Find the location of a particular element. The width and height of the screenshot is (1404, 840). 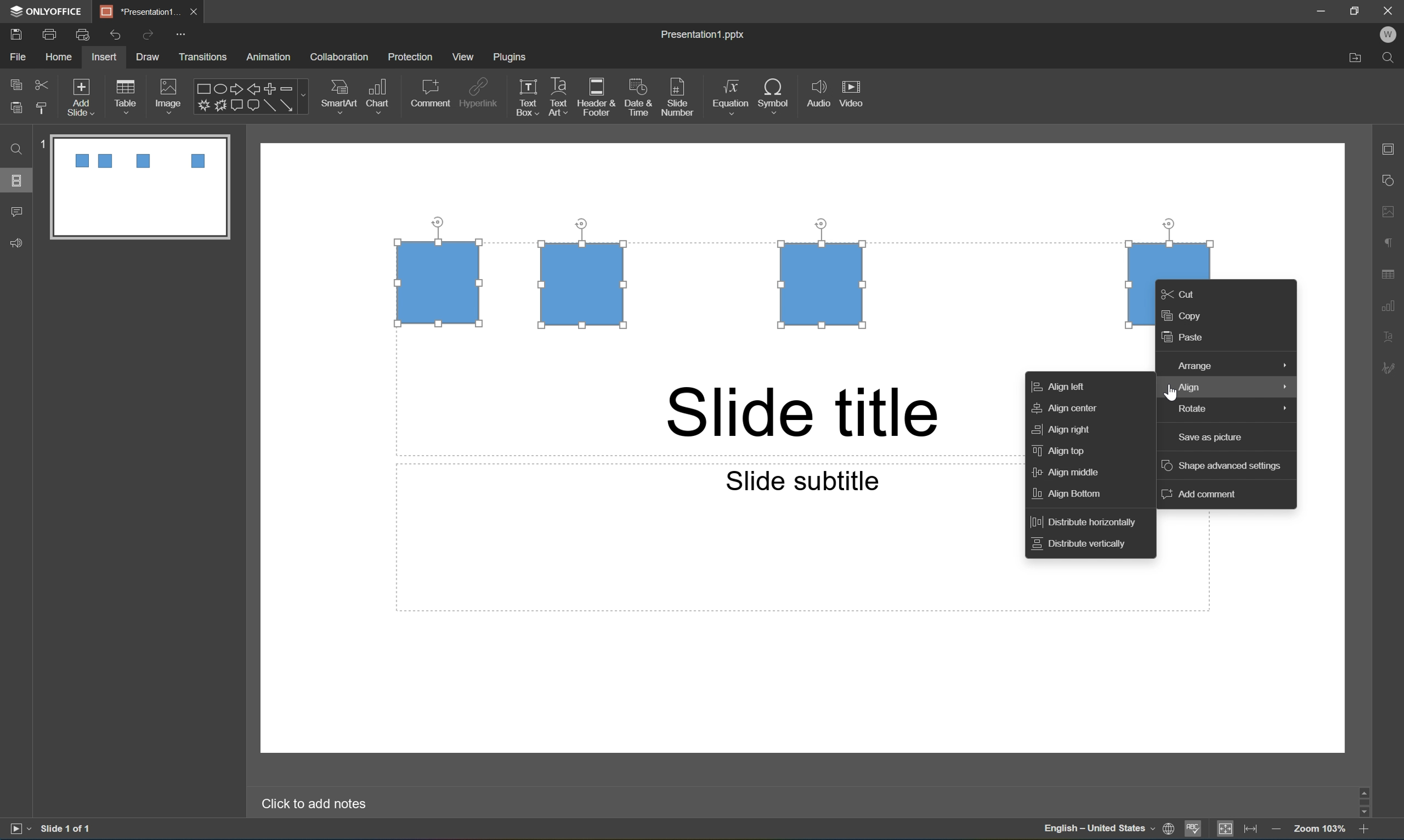

transitions is located at coordinates (204, 57).